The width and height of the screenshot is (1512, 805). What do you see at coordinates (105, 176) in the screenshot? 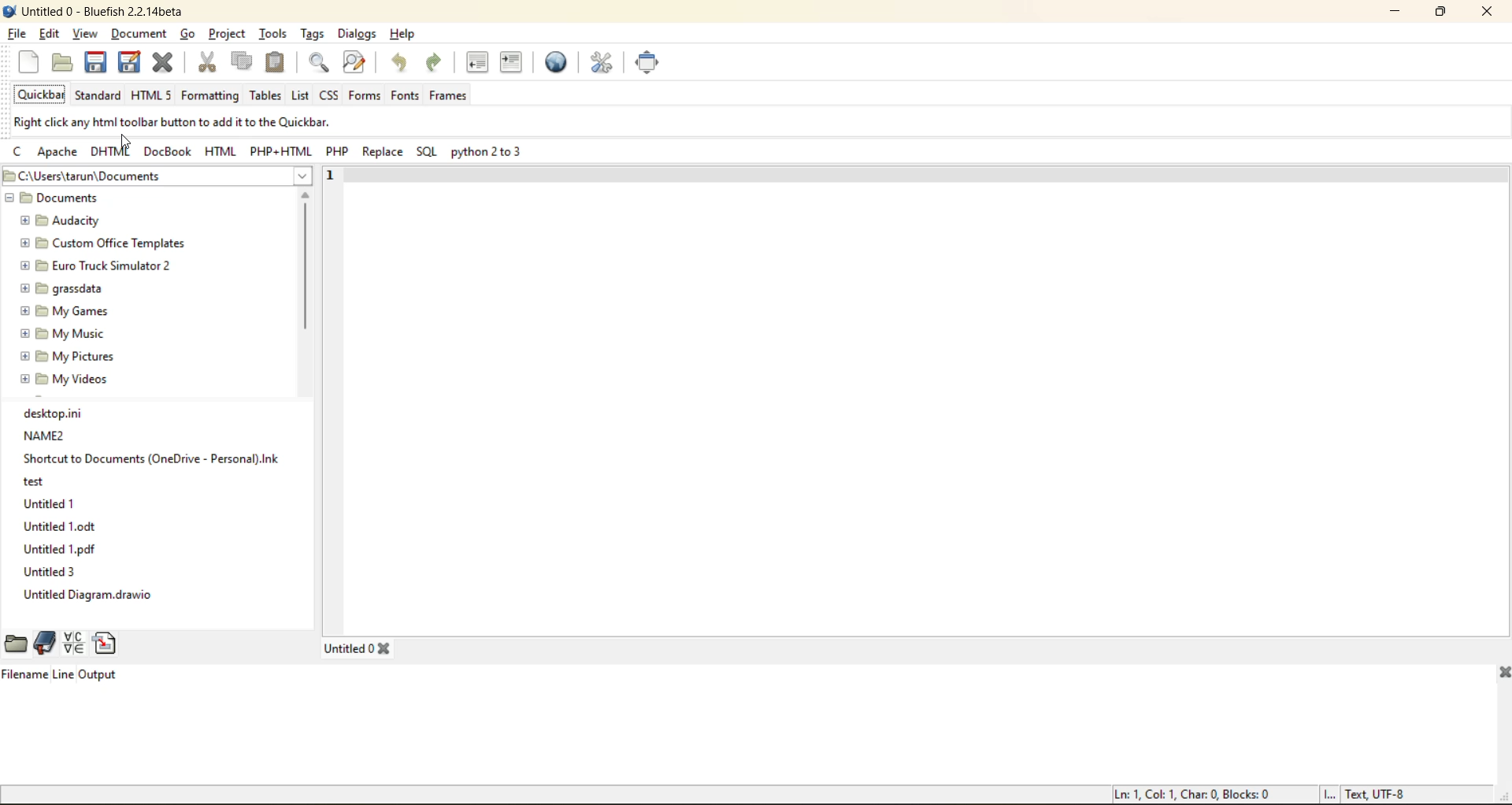
I see `file location` at bounding box center [105, 176].